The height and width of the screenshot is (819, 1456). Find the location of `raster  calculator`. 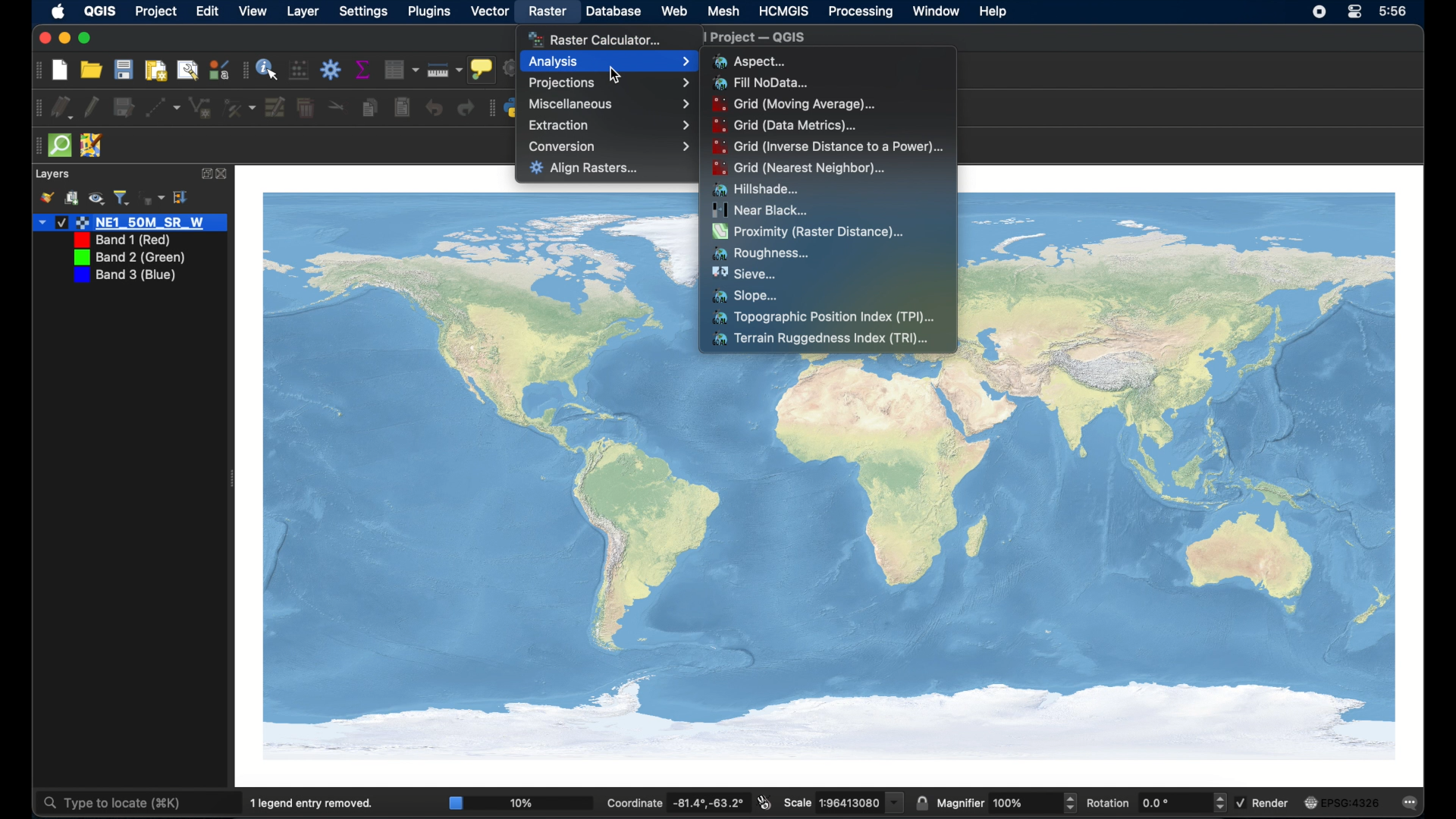

raster  calculator is located at coordinates (596, 38).